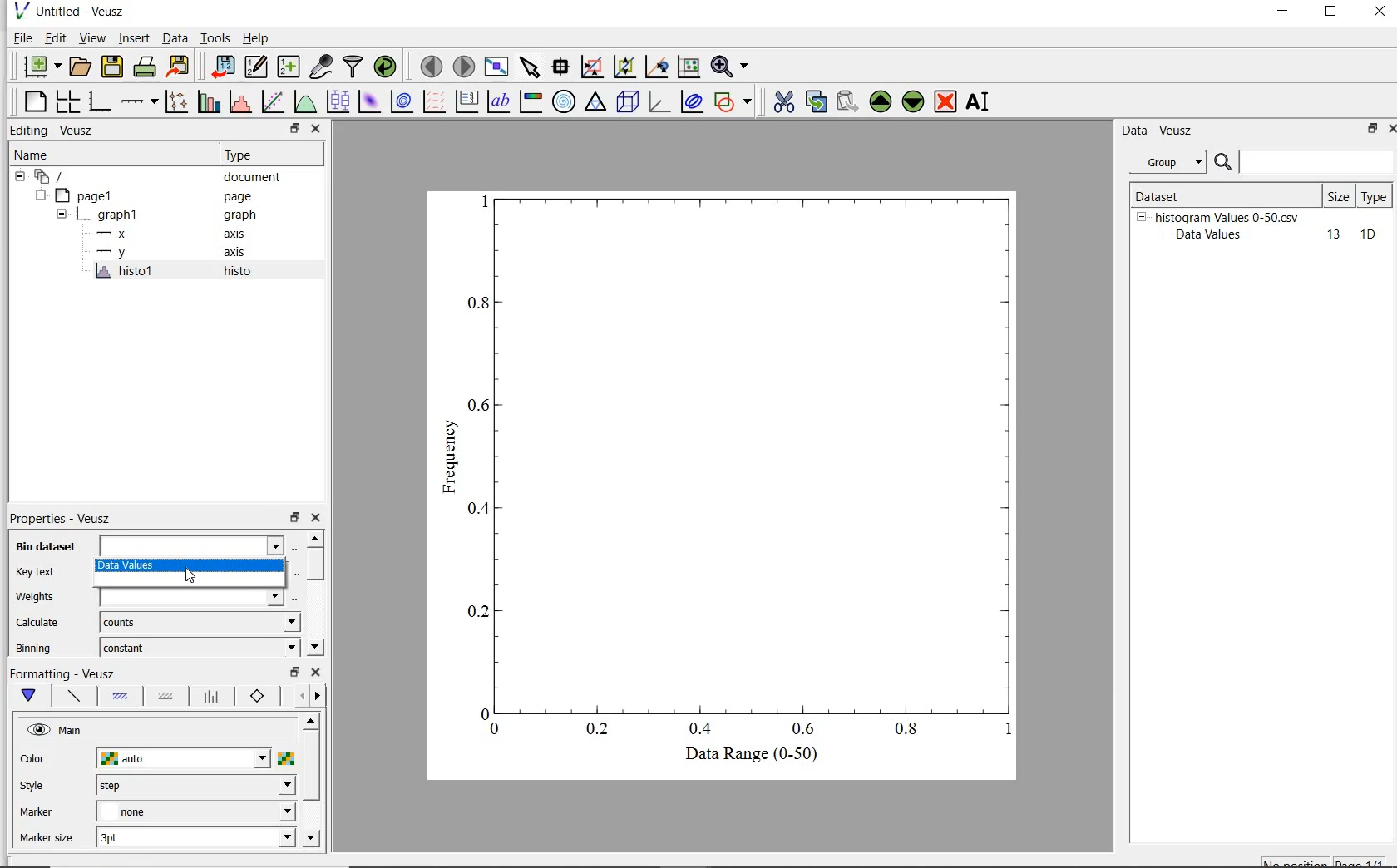 The width and height of the screenshot is (1397, 868). Describe the element at coordinates (656, 67) in the screenshot. I see `click to zoom out on graph axes` at that location.